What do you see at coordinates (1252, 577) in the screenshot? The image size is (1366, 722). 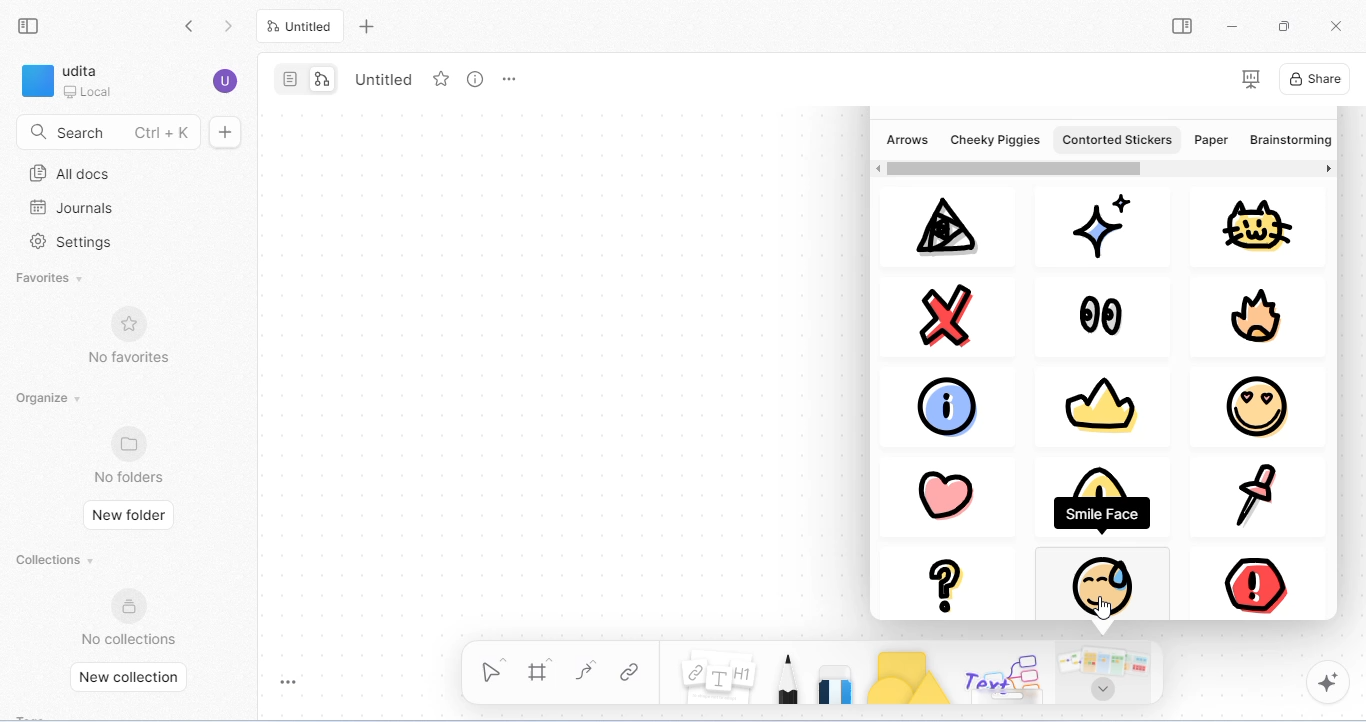 I see `stop` at bounding box center [1252, 577].